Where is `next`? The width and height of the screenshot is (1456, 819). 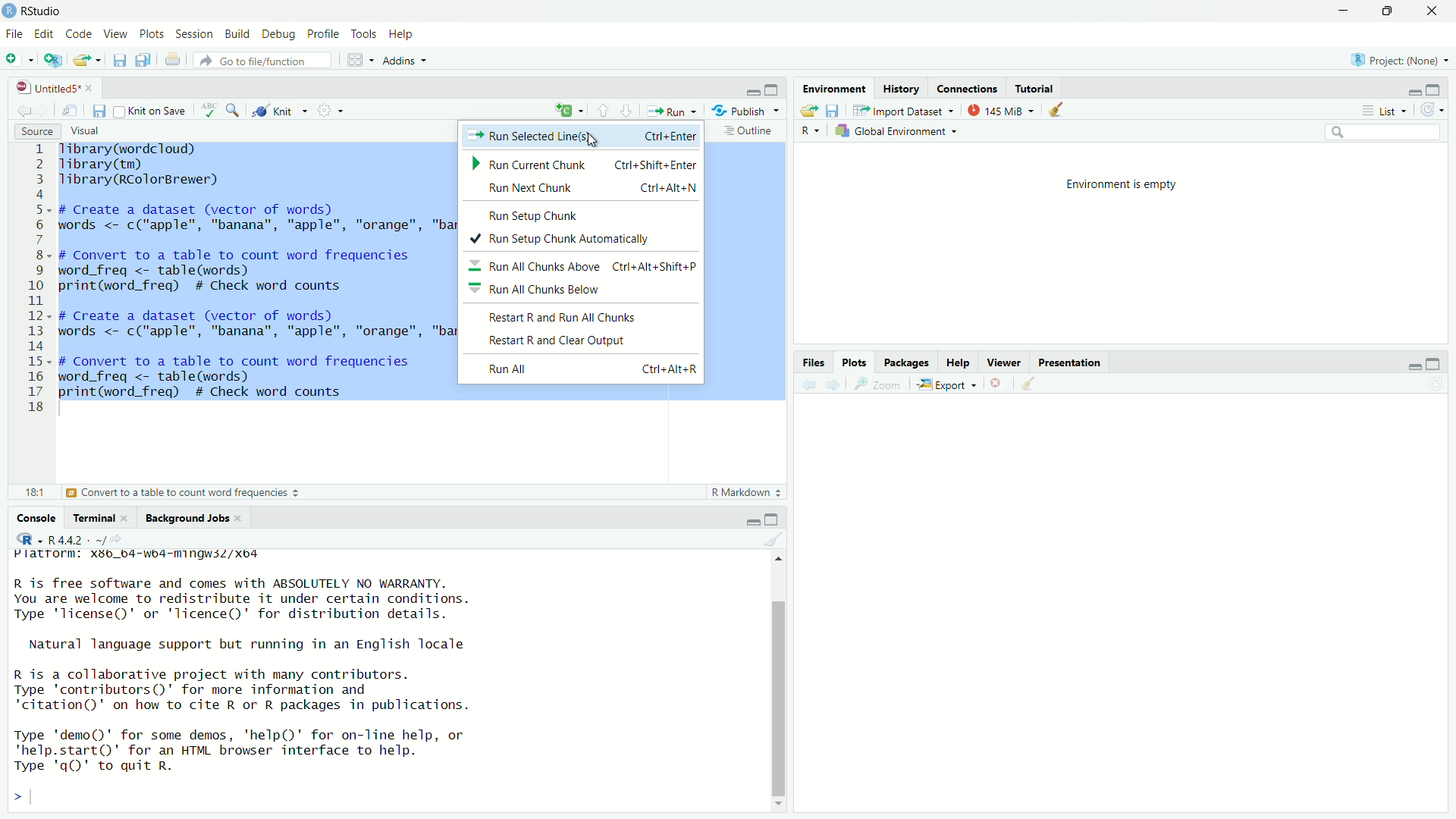
next is located at coordinates (833, 384).